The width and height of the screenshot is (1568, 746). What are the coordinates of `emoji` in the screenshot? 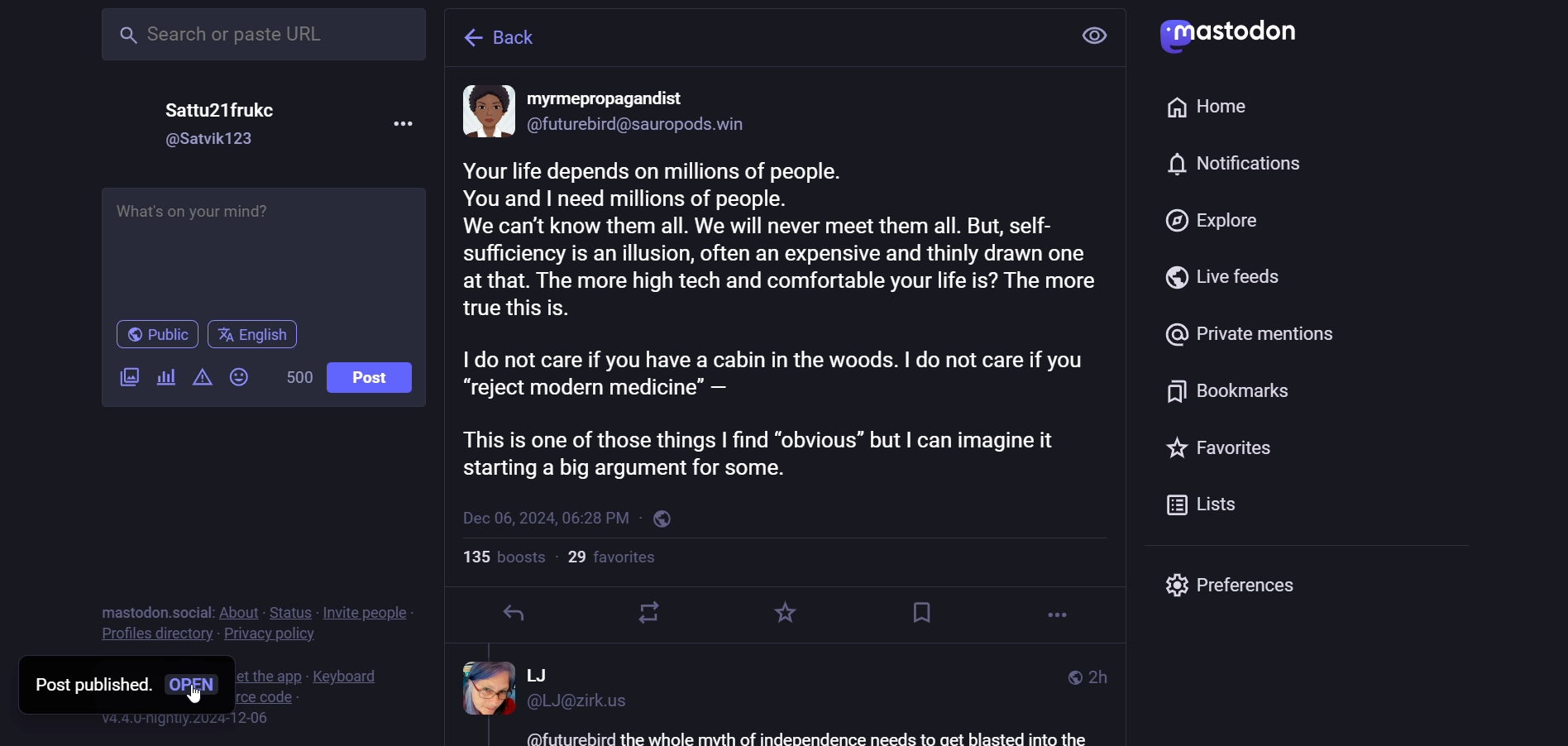 It's located at (237, 375).